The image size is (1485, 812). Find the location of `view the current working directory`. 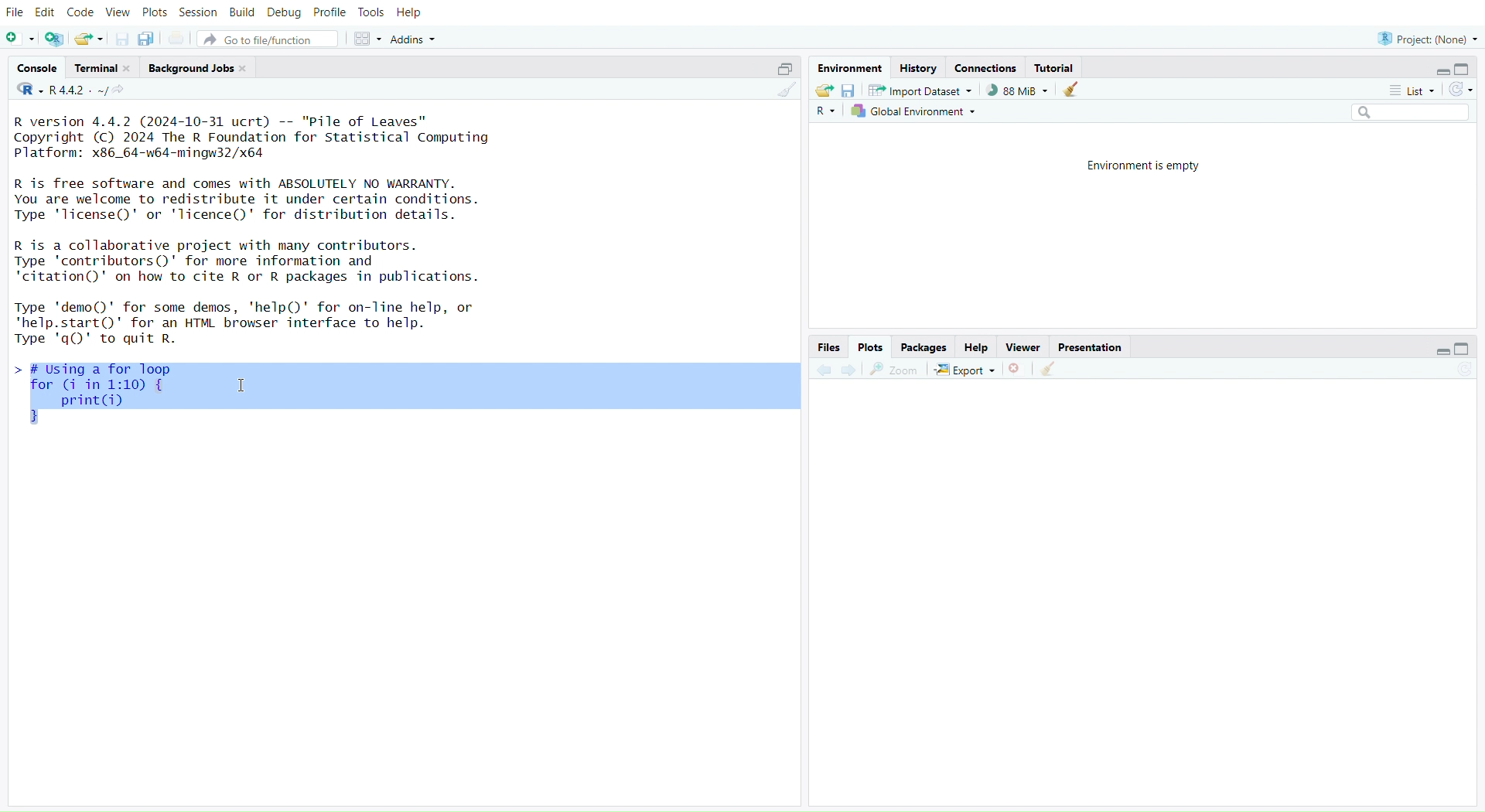

view the current working directory is located at coordinates (120, 91).